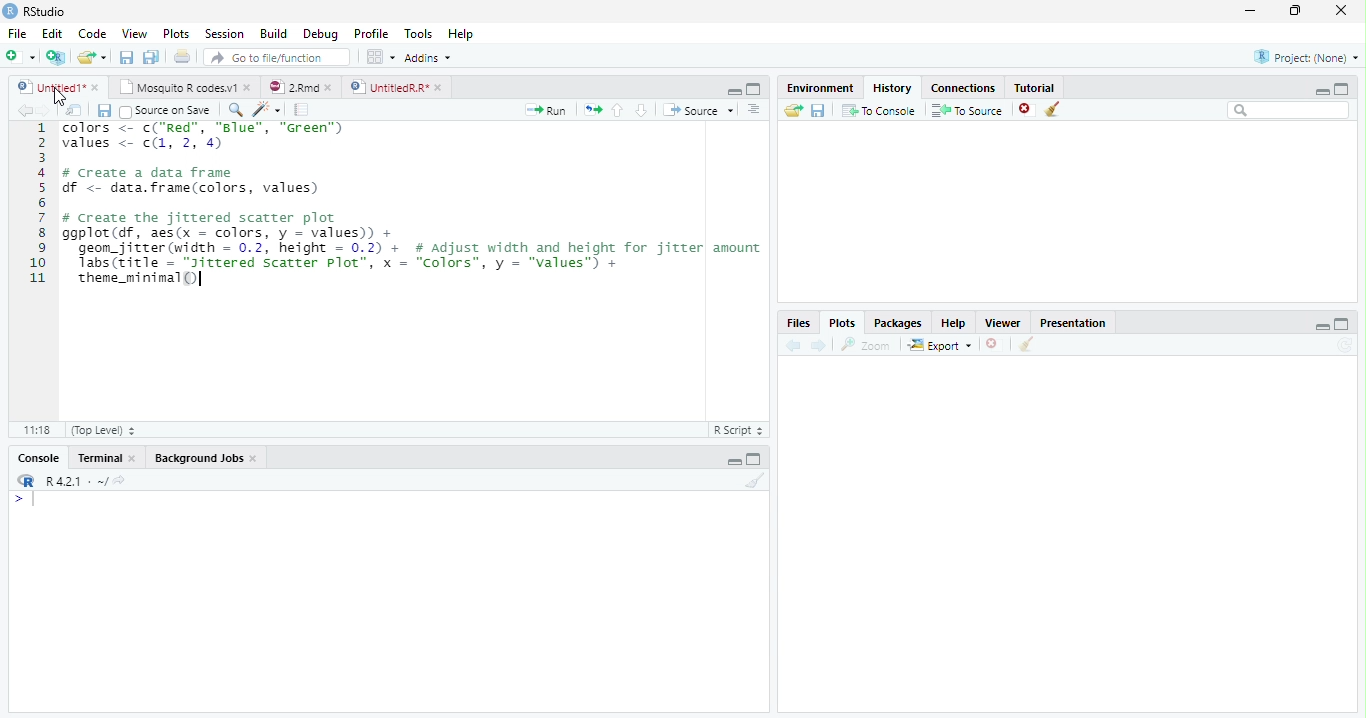 The width and height of the screenshot is (1366, 718). What do you see at coordinates (954, 323) in the screenshot?
I see `Help` at bounding box center [954, 323].